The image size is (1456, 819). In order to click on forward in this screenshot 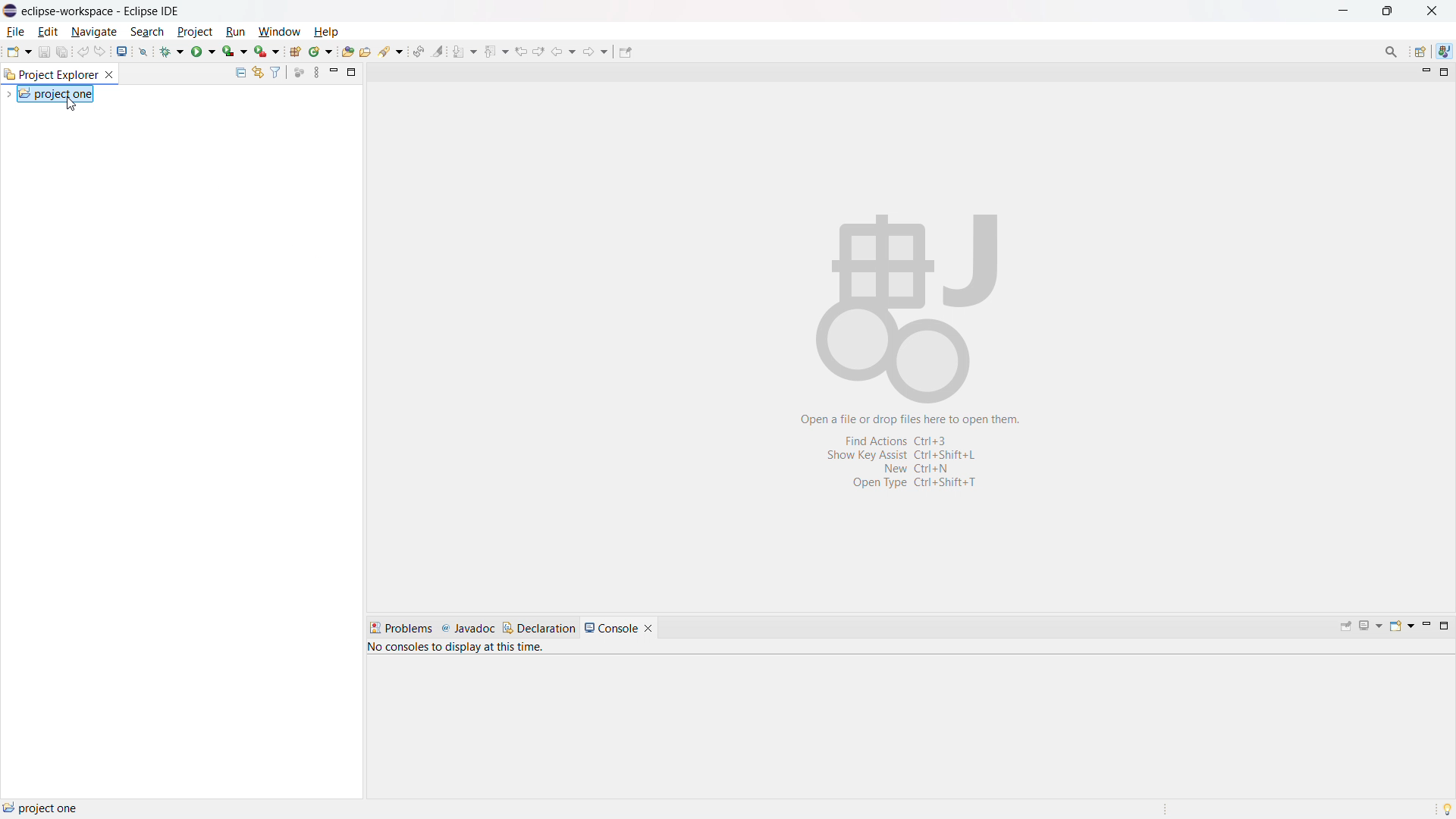, I will do `click(597, 51)`.